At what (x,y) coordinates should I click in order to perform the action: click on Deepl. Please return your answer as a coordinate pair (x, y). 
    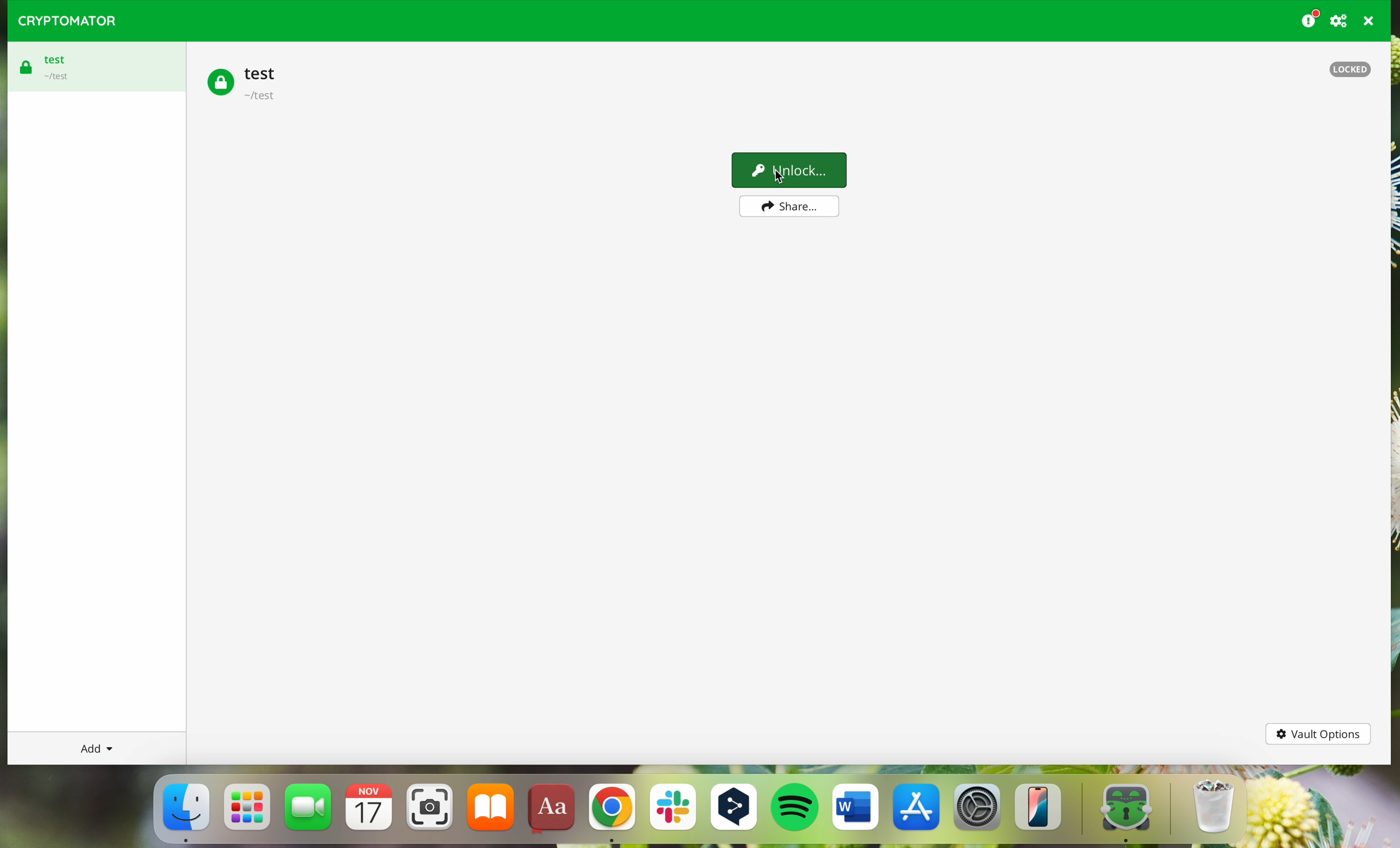
    Looking at the image, I should click on (734, 812).